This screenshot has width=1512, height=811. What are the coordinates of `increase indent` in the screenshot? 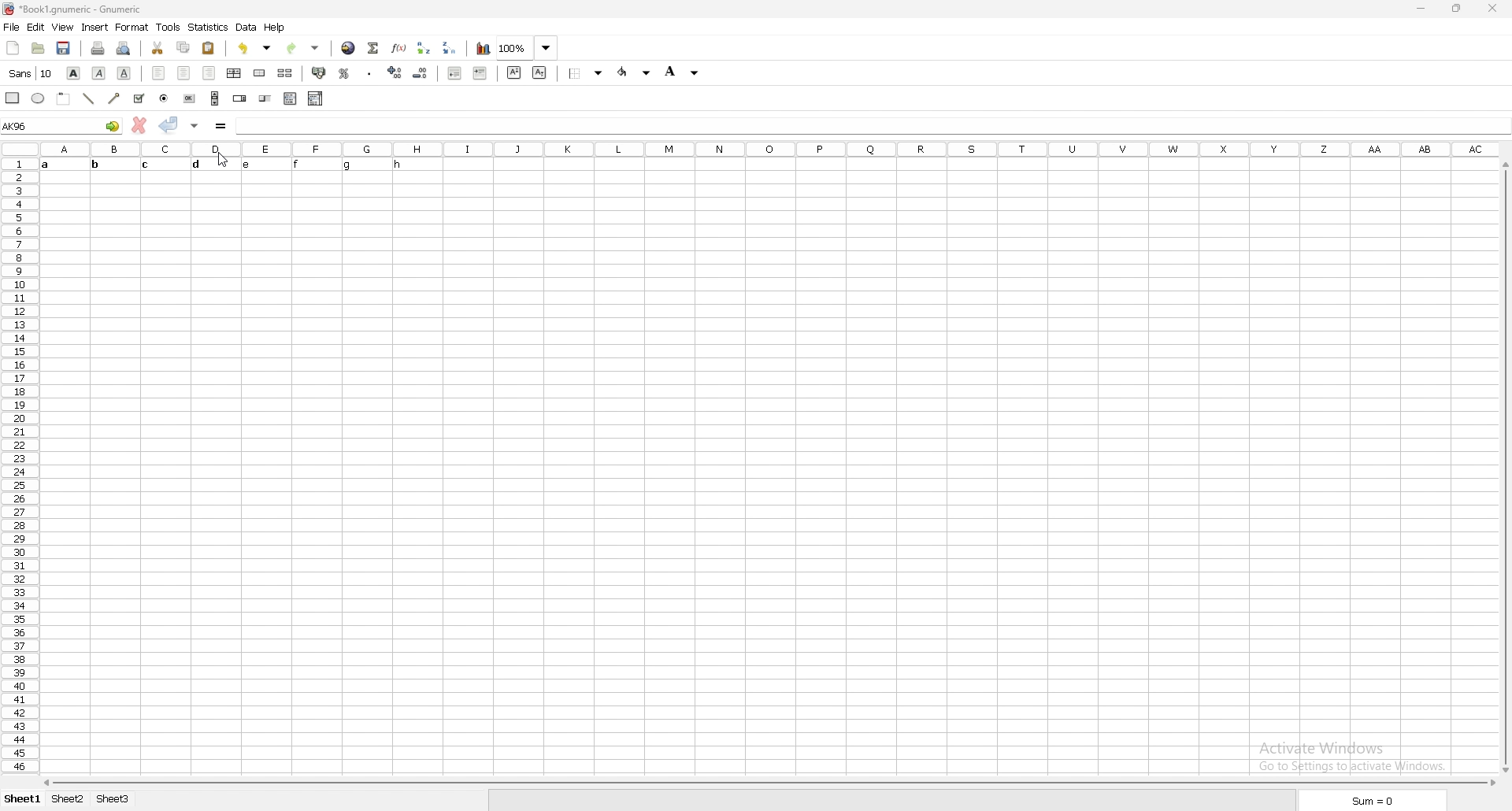 It's located at (480, 73).